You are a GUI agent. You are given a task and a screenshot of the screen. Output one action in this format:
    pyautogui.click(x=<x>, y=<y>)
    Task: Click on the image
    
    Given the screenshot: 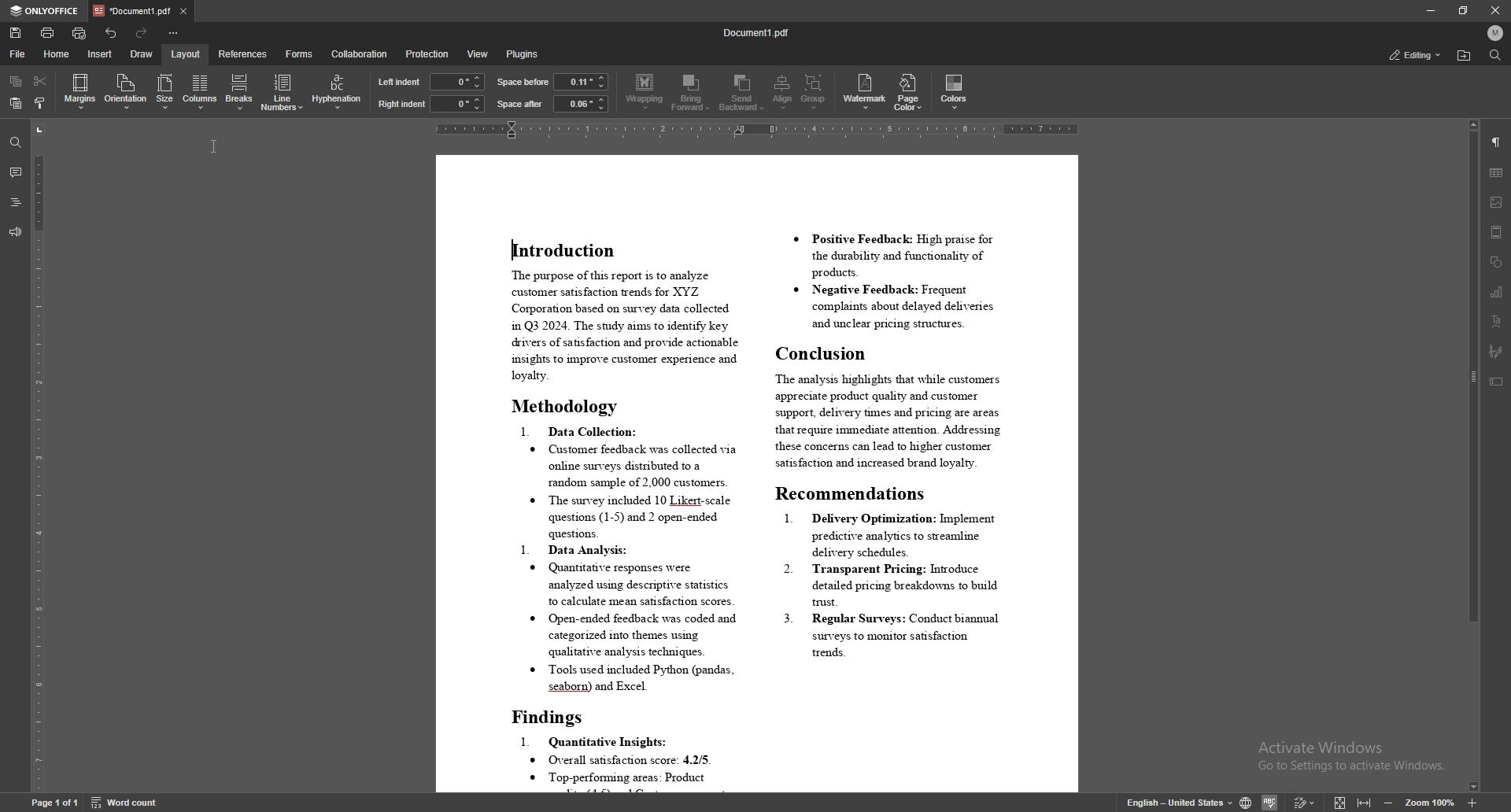 What is the action you would take?
    pyautogui.click(x=1497, y=201)
    